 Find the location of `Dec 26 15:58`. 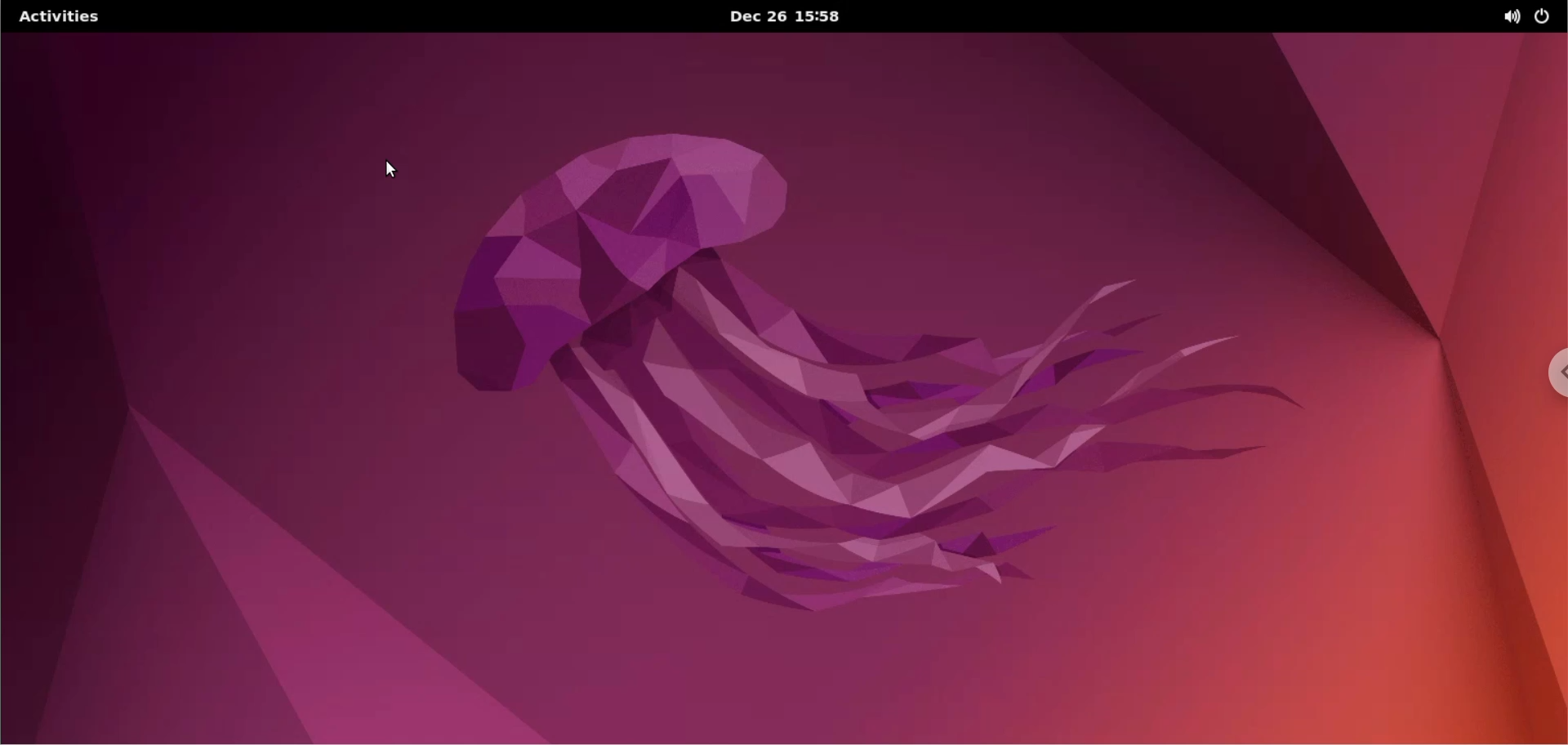

Dec 26 15:58 is located at coordinates (788, 17).